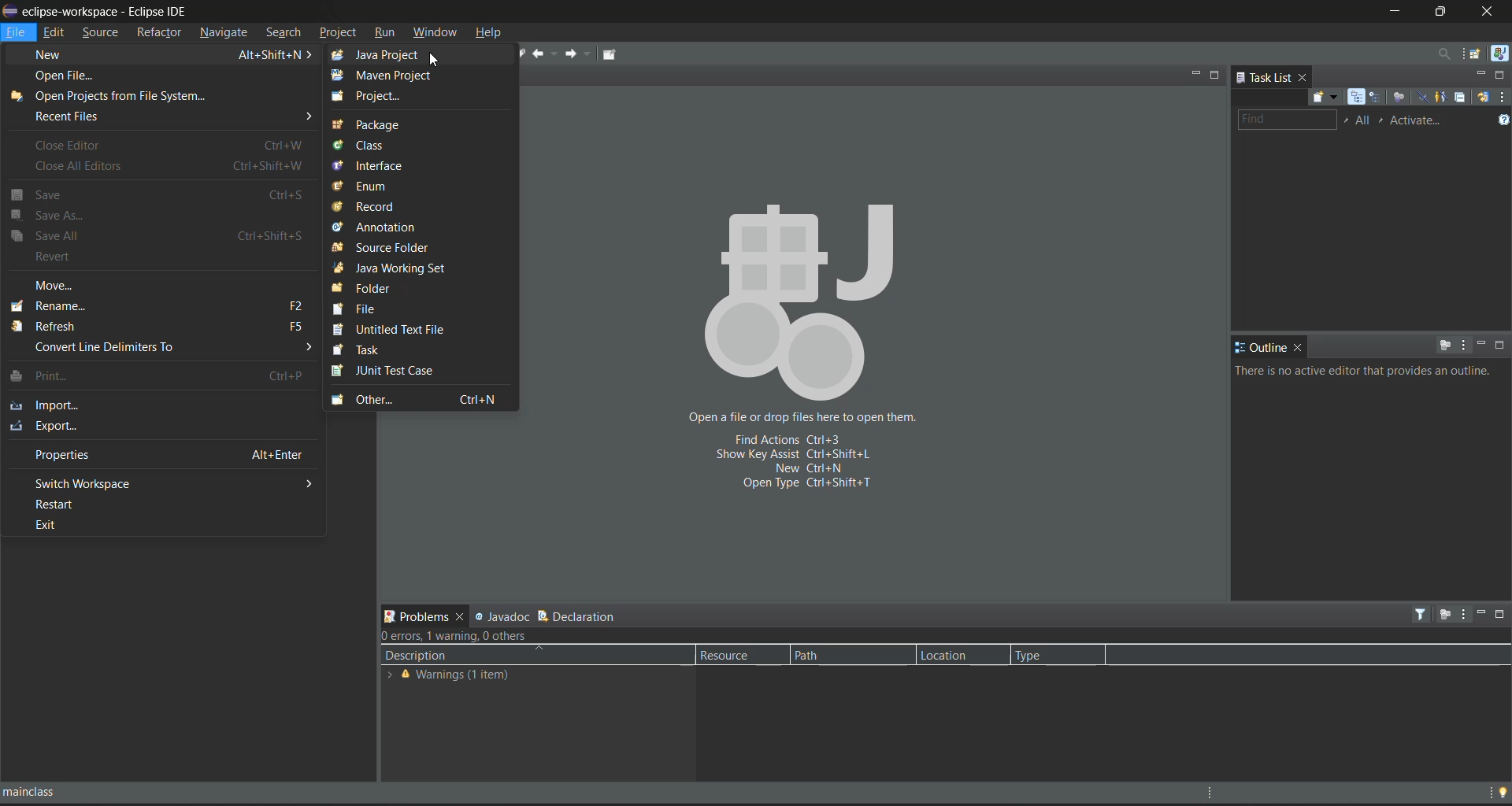 The width and height of the screenshot is (1512, 806). Describe the element at coordinates (165, 116) in the screenshot. I see `recent files` at that location.